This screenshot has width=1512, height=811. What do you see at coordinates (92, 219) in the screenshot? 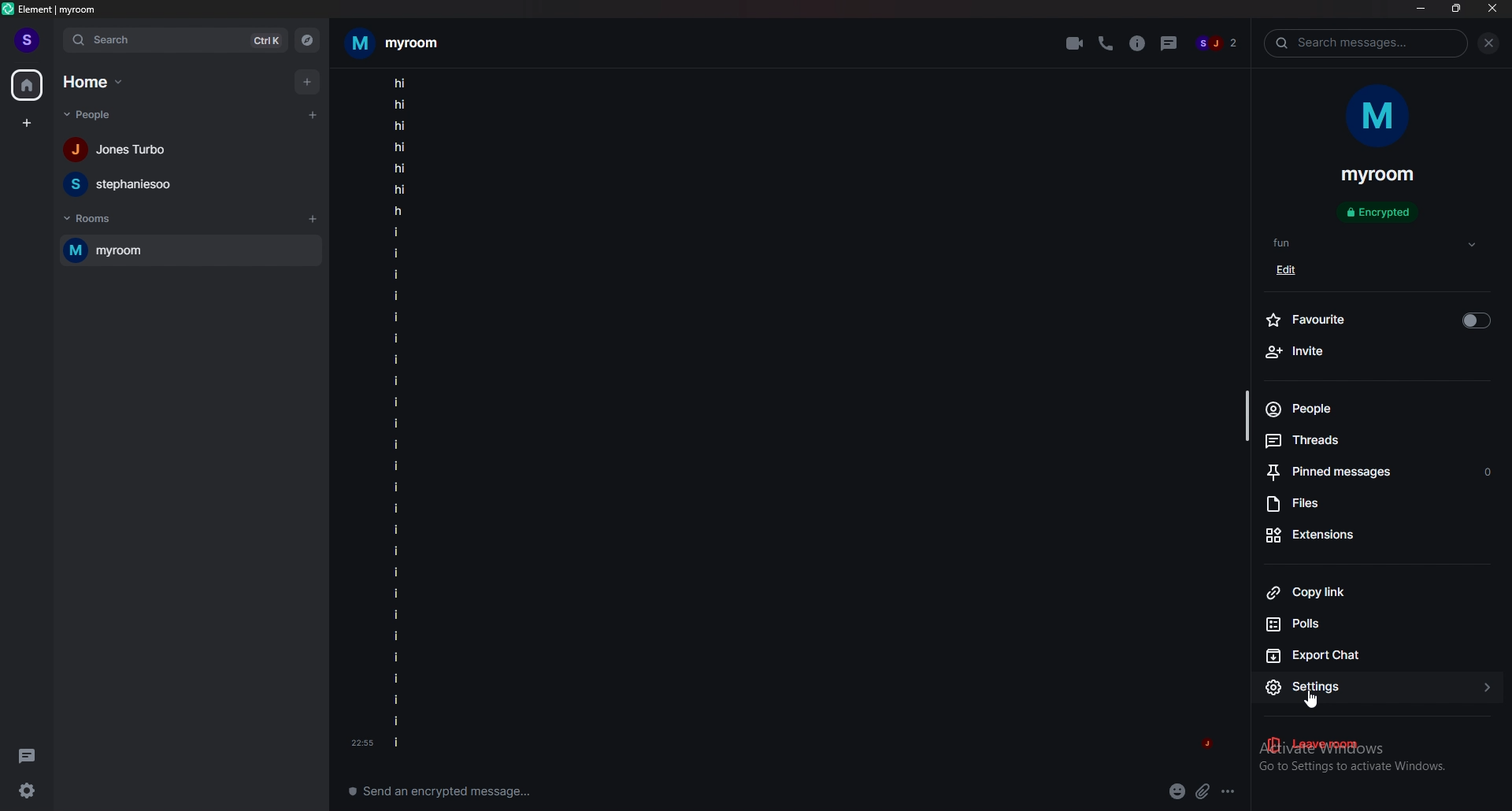
I see `rooms` at bounding box center [92, 219].